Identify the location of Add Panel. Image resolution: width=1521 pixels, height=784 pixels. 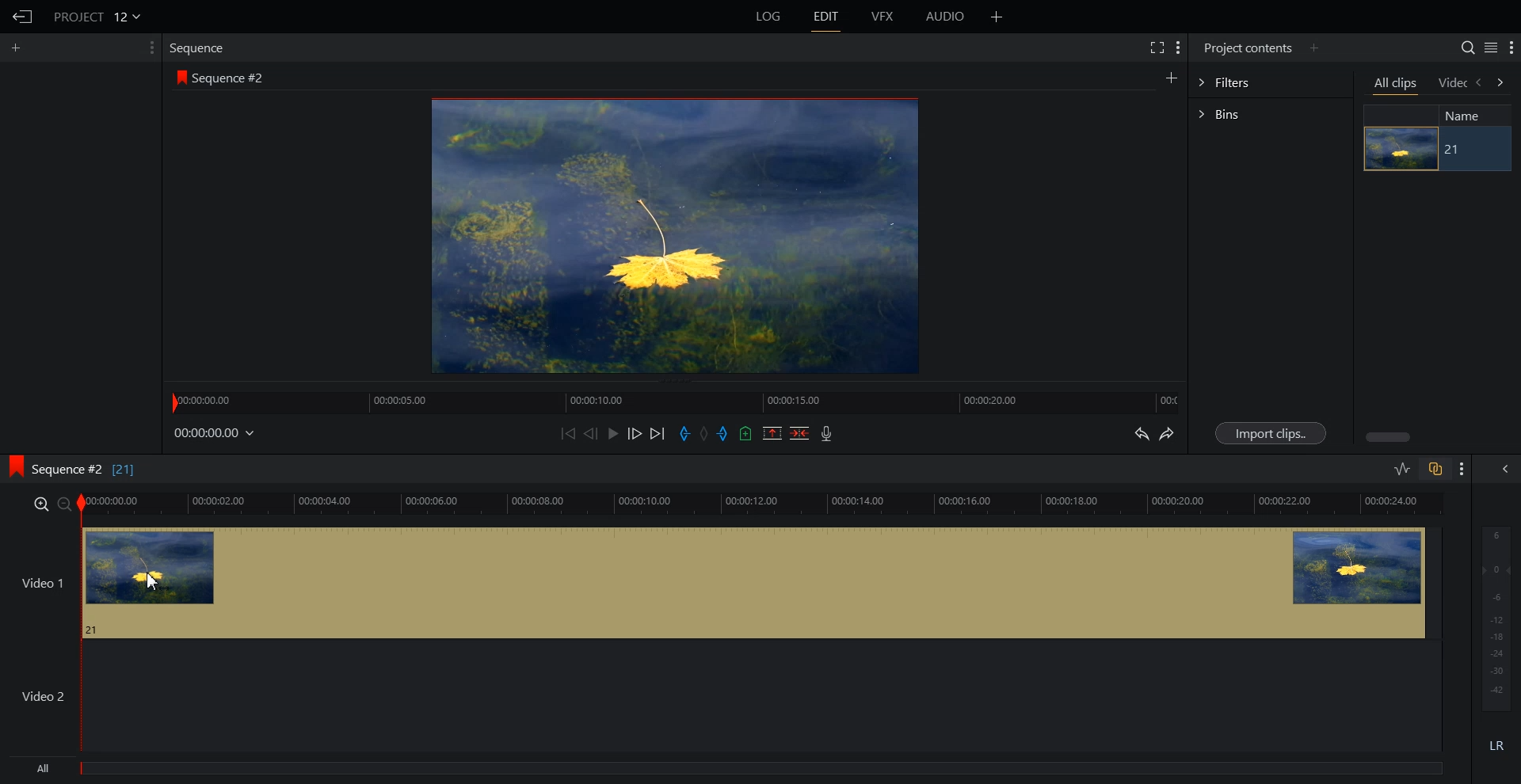
(997, 17).